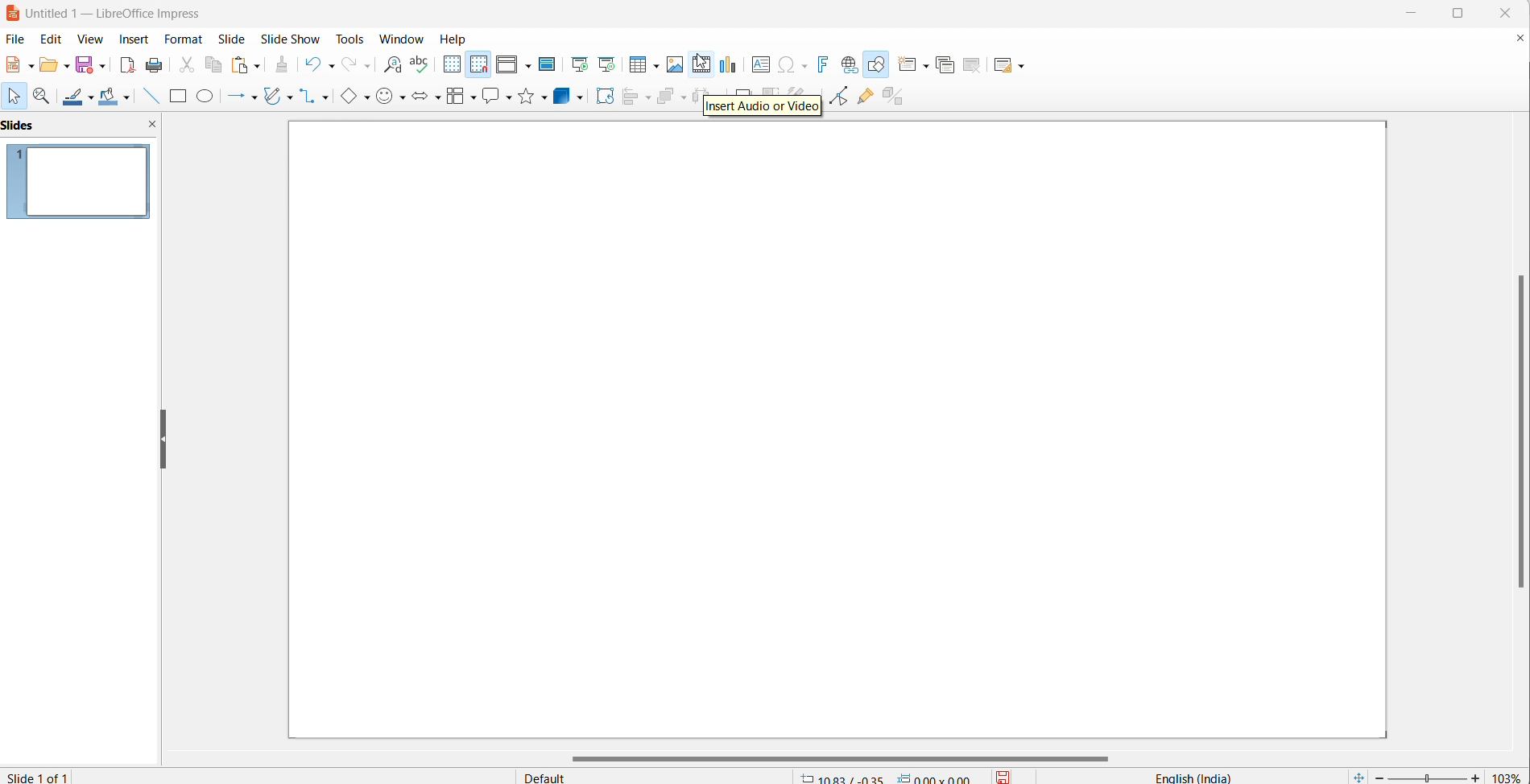 The image size is (1530, 784). Describe the element at coordinates (666, 97) in the screenshot. I see `arrange` at that location.